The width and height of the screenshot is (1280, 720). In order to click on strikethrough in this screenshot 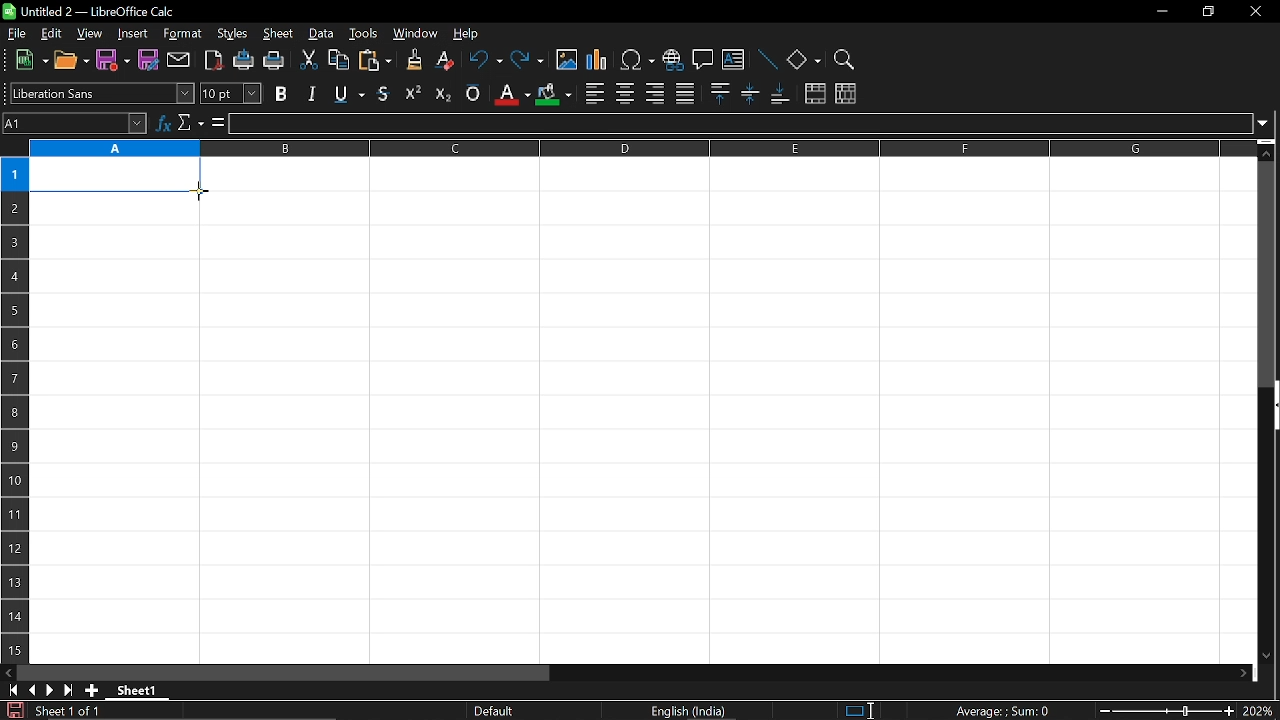, I will do `click(384, 92)`.